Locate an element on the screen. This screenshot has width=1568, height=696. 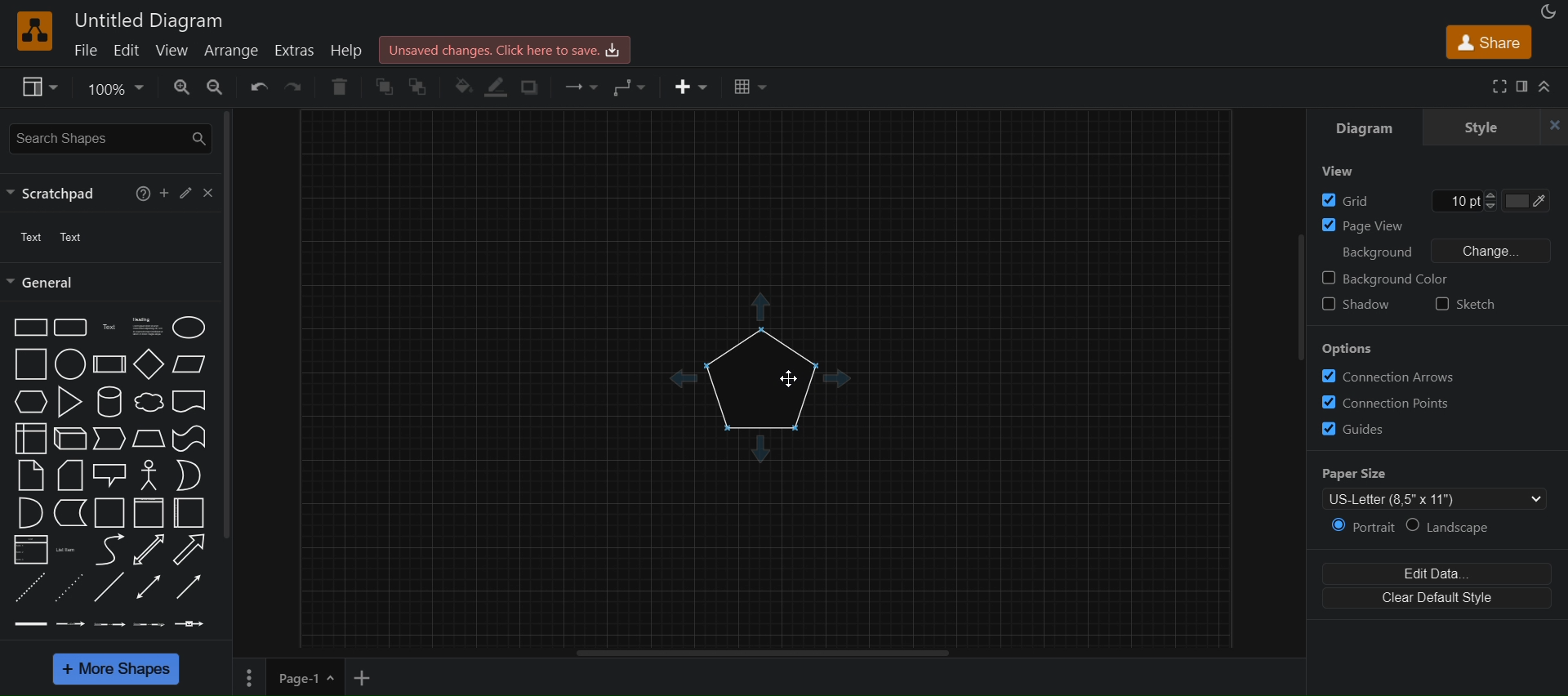
More settings is located at coordinates (249, 678).